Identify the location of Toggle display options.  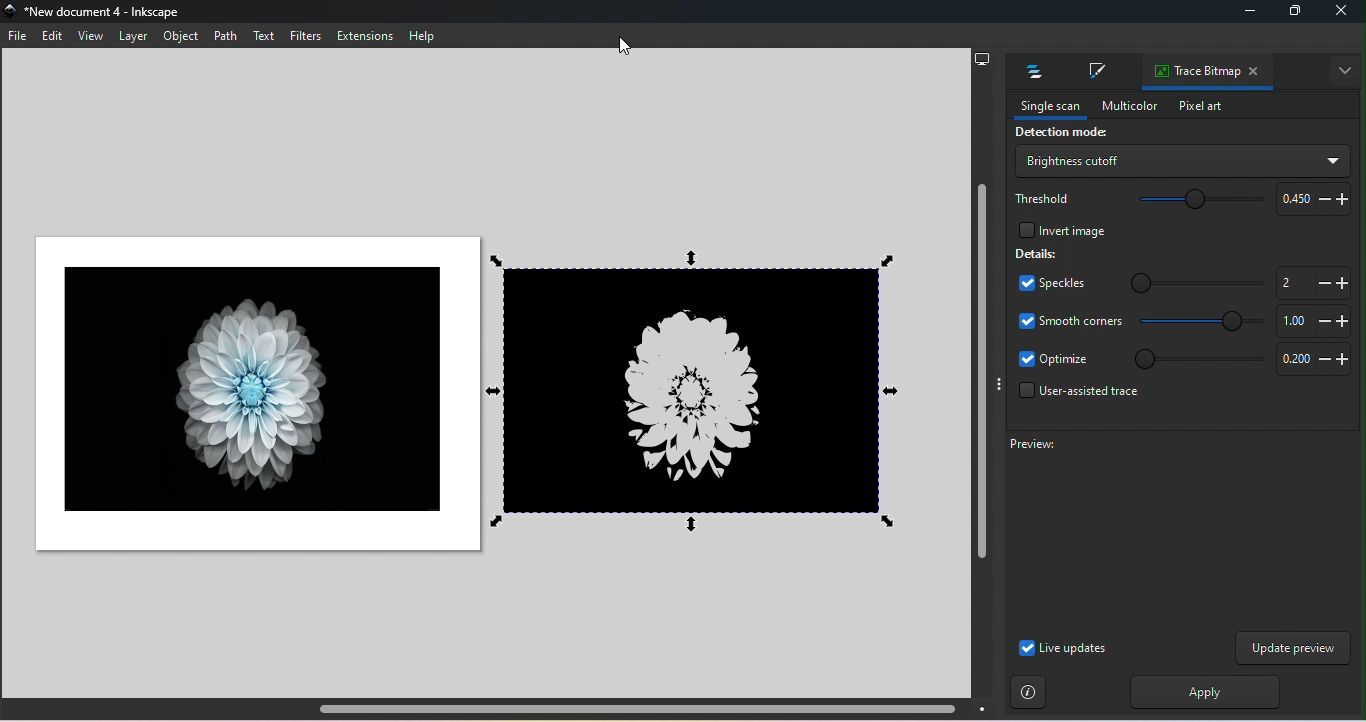
(998, 384).